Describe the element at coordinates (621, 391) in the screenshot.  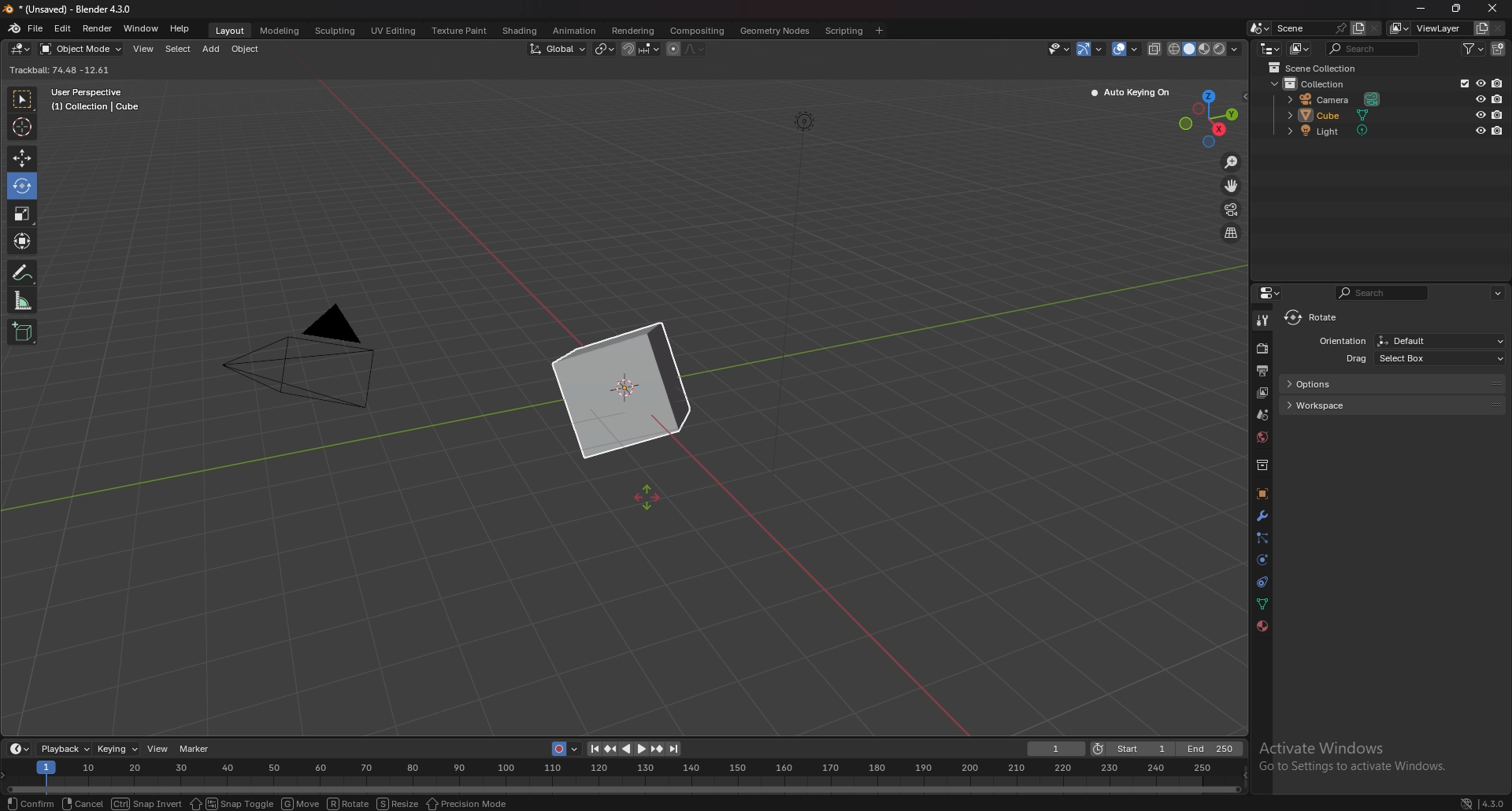
I see `cube` at that location.